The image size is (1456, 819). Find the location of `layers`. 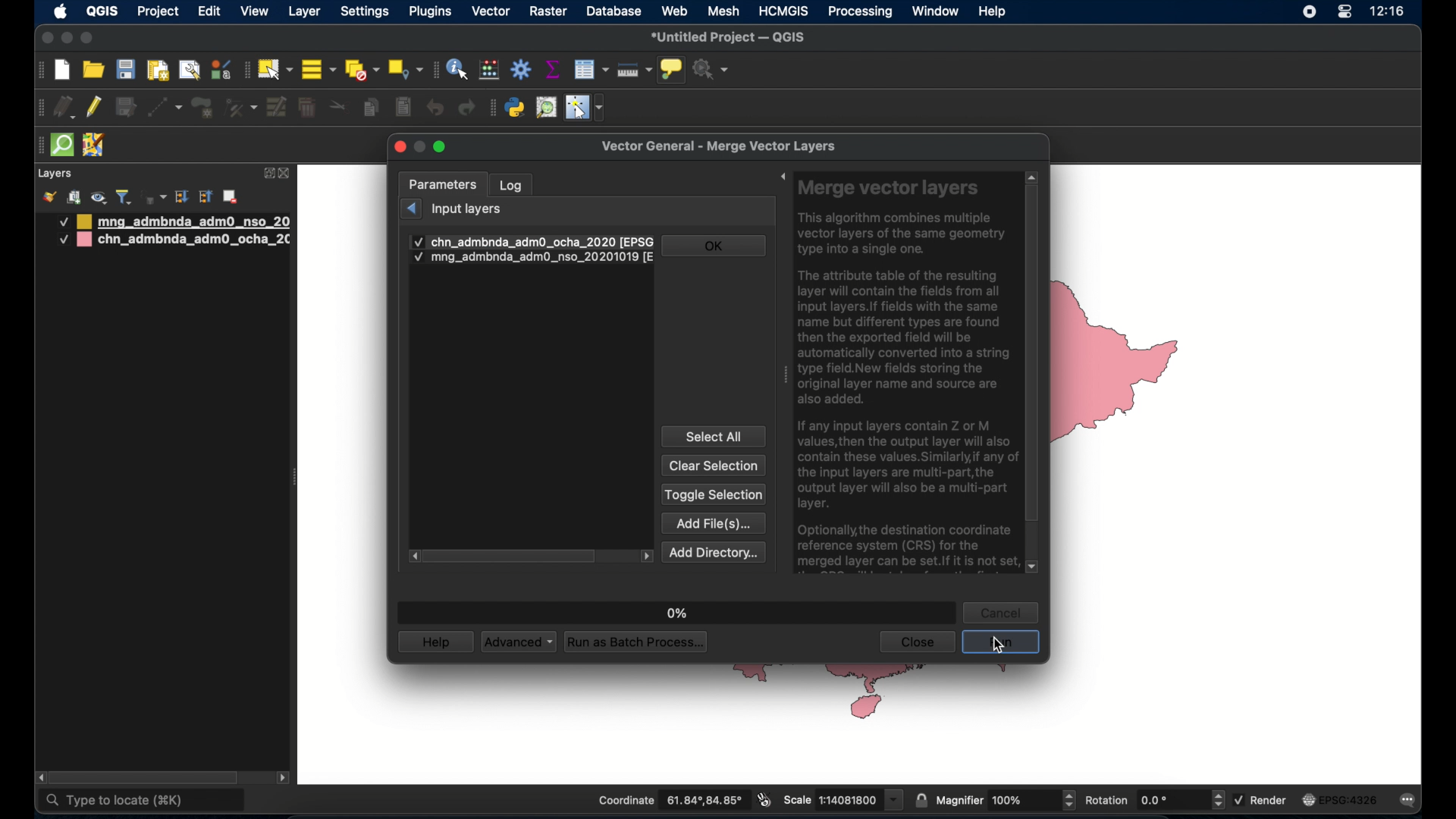

layers is located at coordinates (55, 174).